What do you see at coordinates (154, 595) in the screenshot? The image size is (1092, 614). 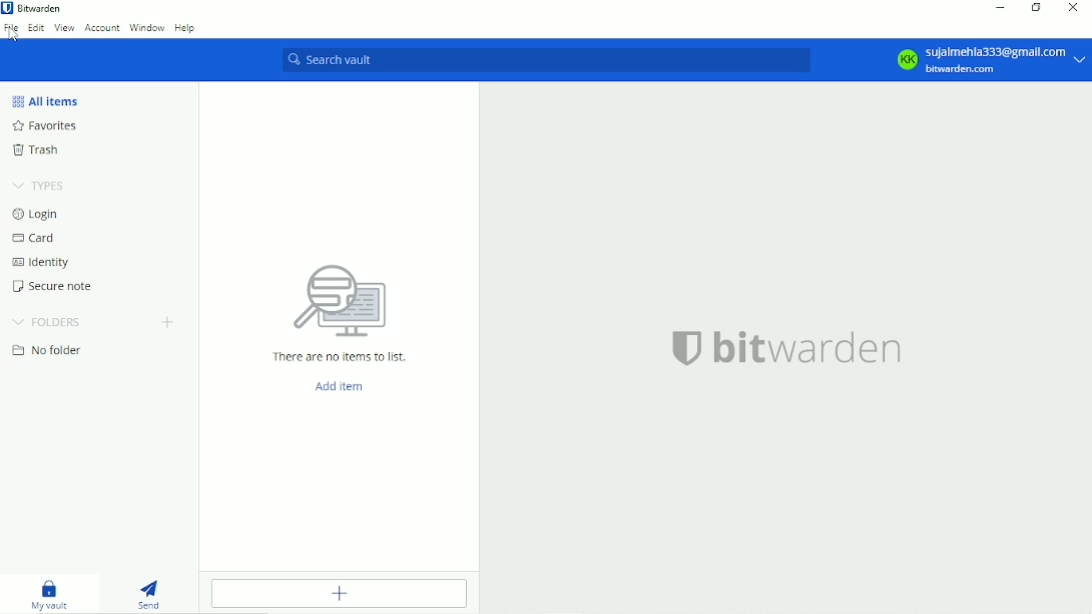 I see `Send` at bounding box center [154, 595].